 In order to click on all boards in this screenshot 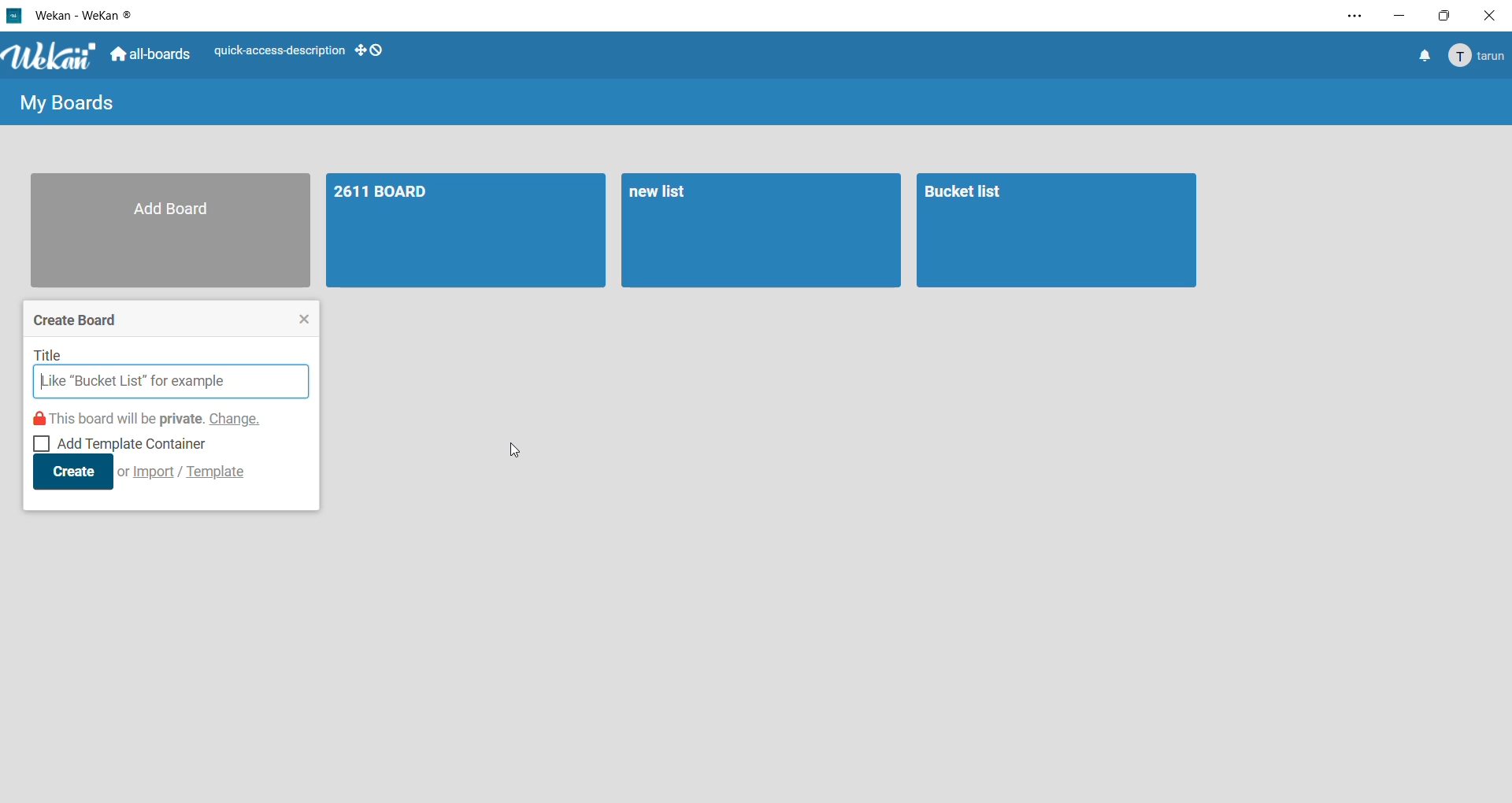, I will do `click(154, 55)`.